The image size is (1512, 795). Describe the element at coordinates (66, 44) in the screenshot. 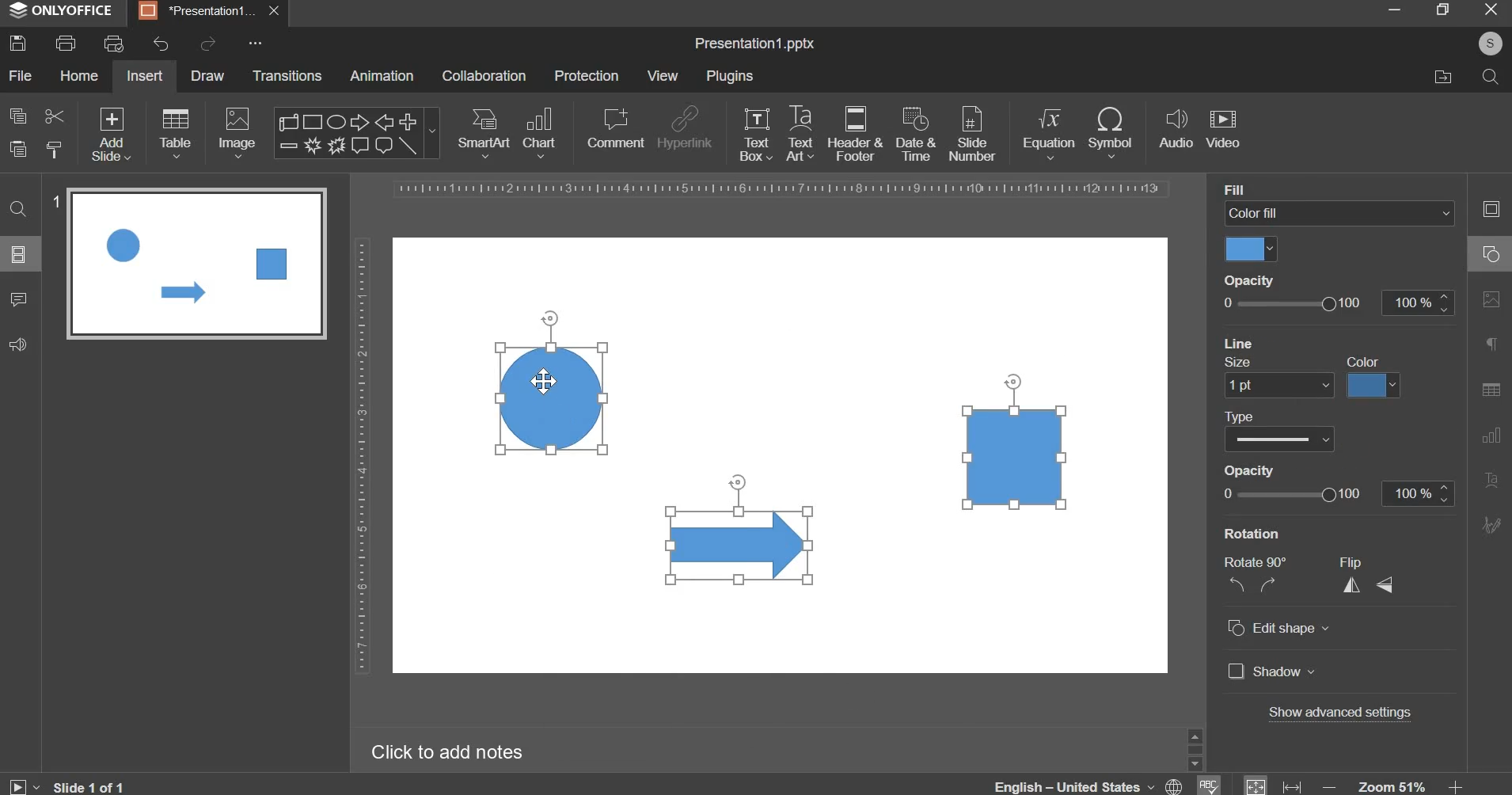

I see `print` at that location.